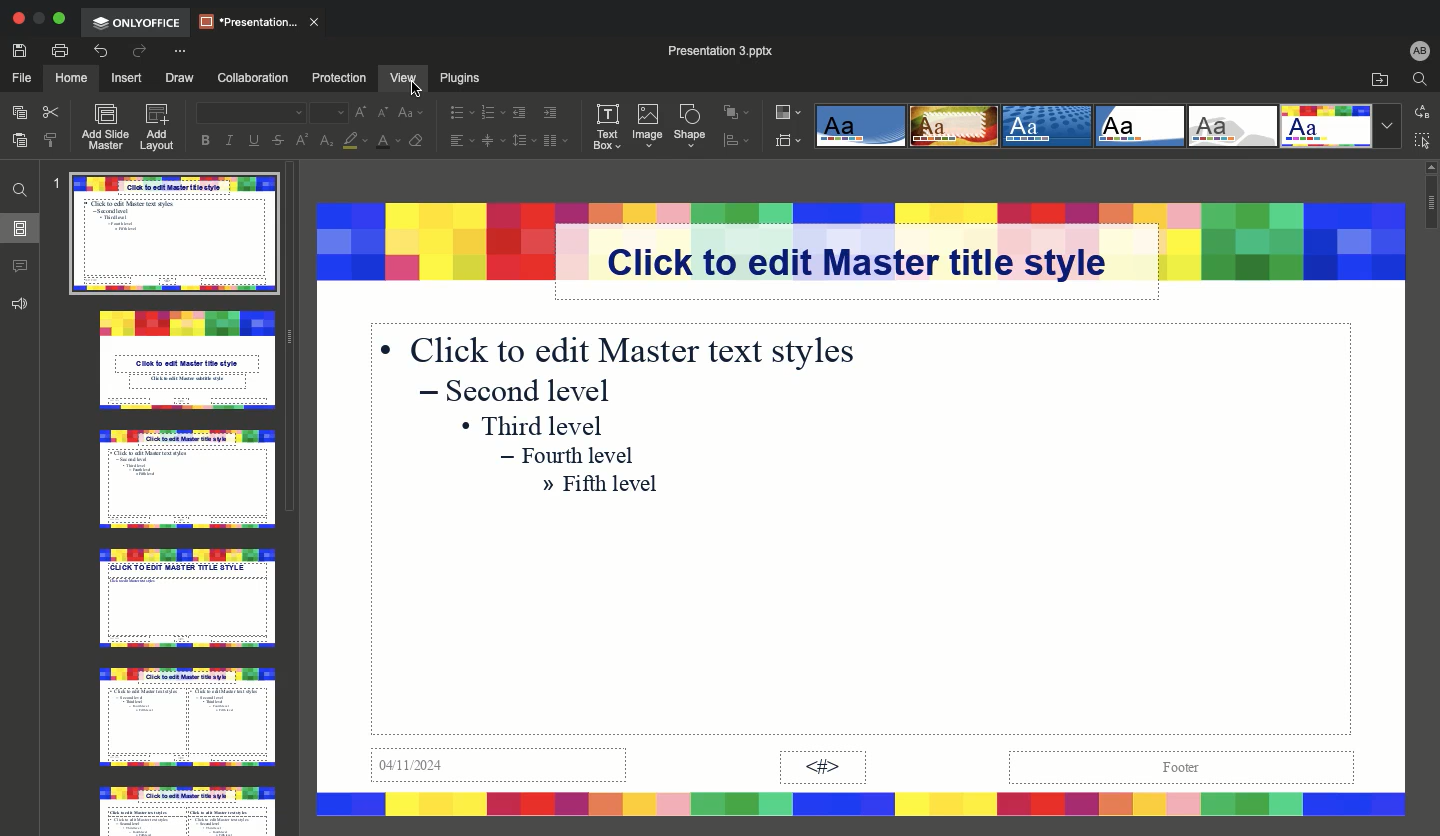 Image resolution: width=1440 pixels, height=836 pixels. I want to click on Layout master slide 5, so click(182, 716).